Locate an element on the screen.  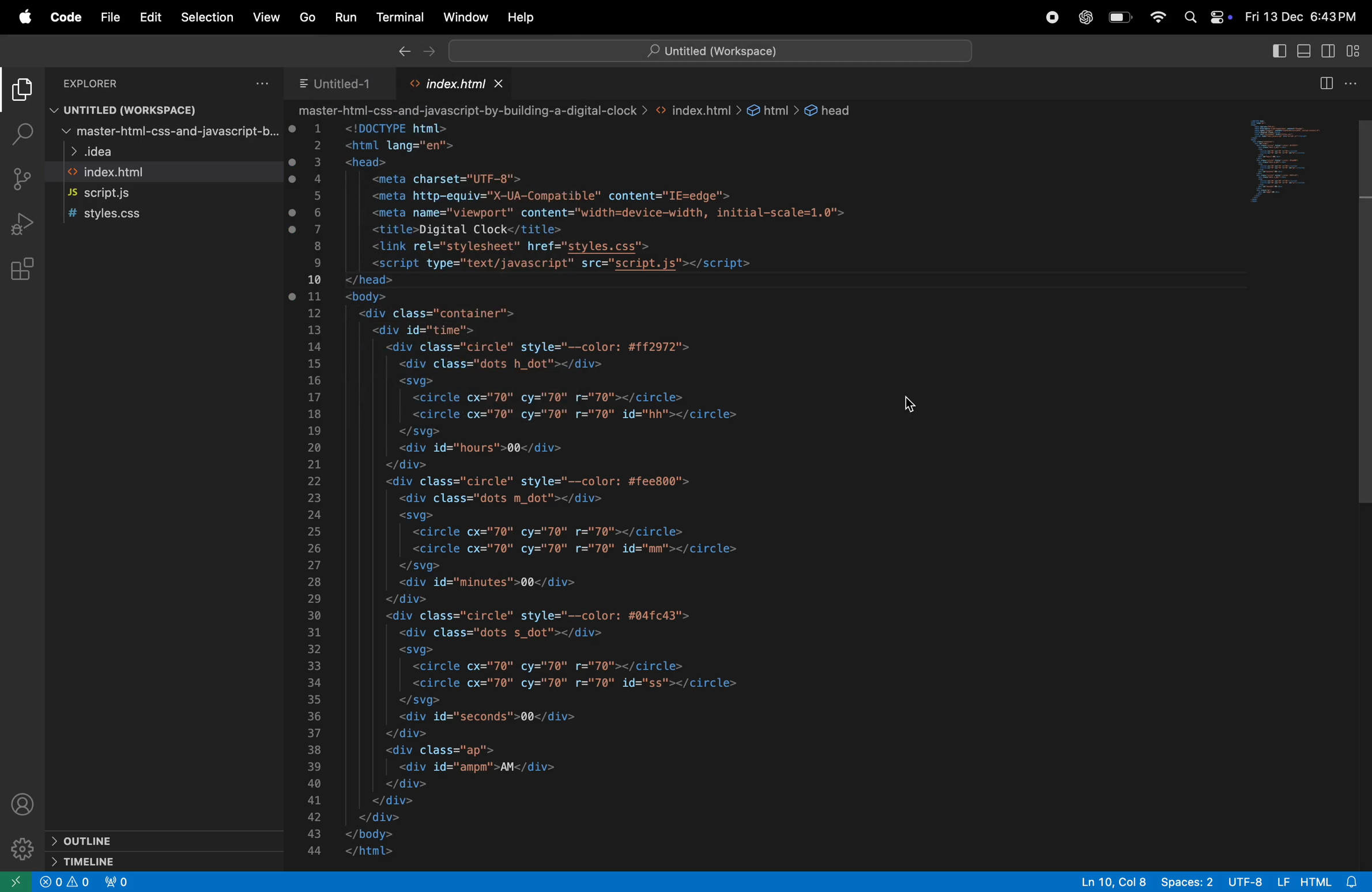
apple widgets is located at coordinates (1206, 18).